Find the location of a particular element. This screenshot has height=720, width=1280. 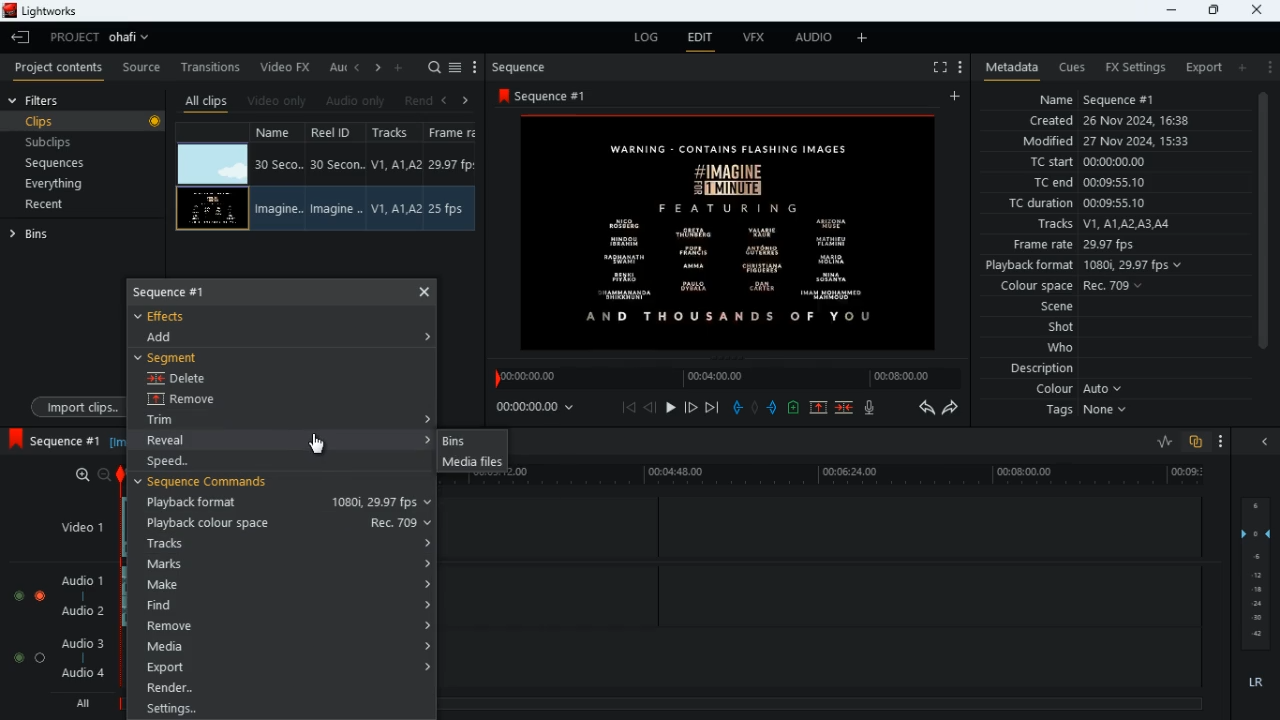

more is located at coordinates (1216, 440).